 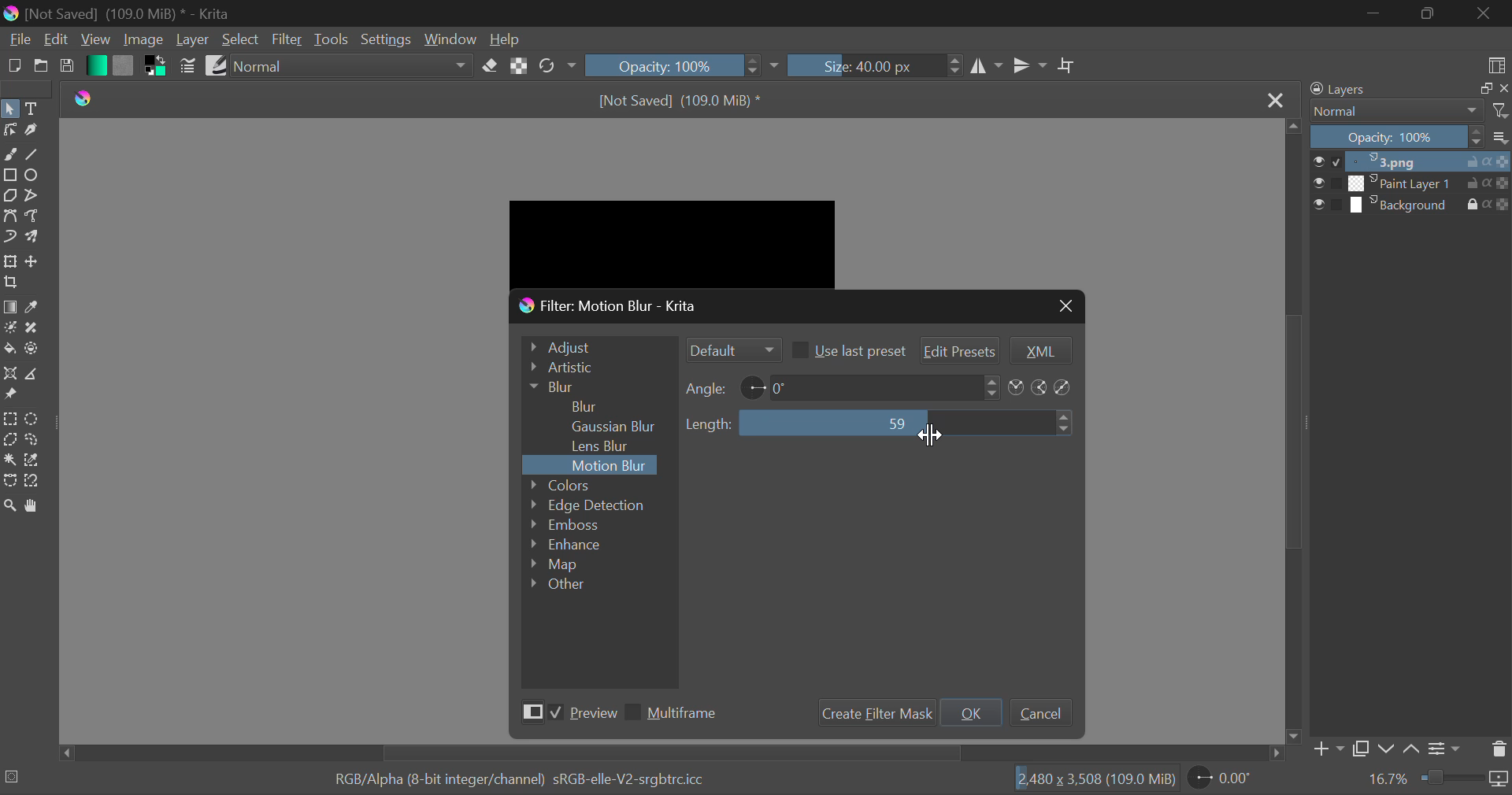 I want to click on New, so click(x=13, y=67).